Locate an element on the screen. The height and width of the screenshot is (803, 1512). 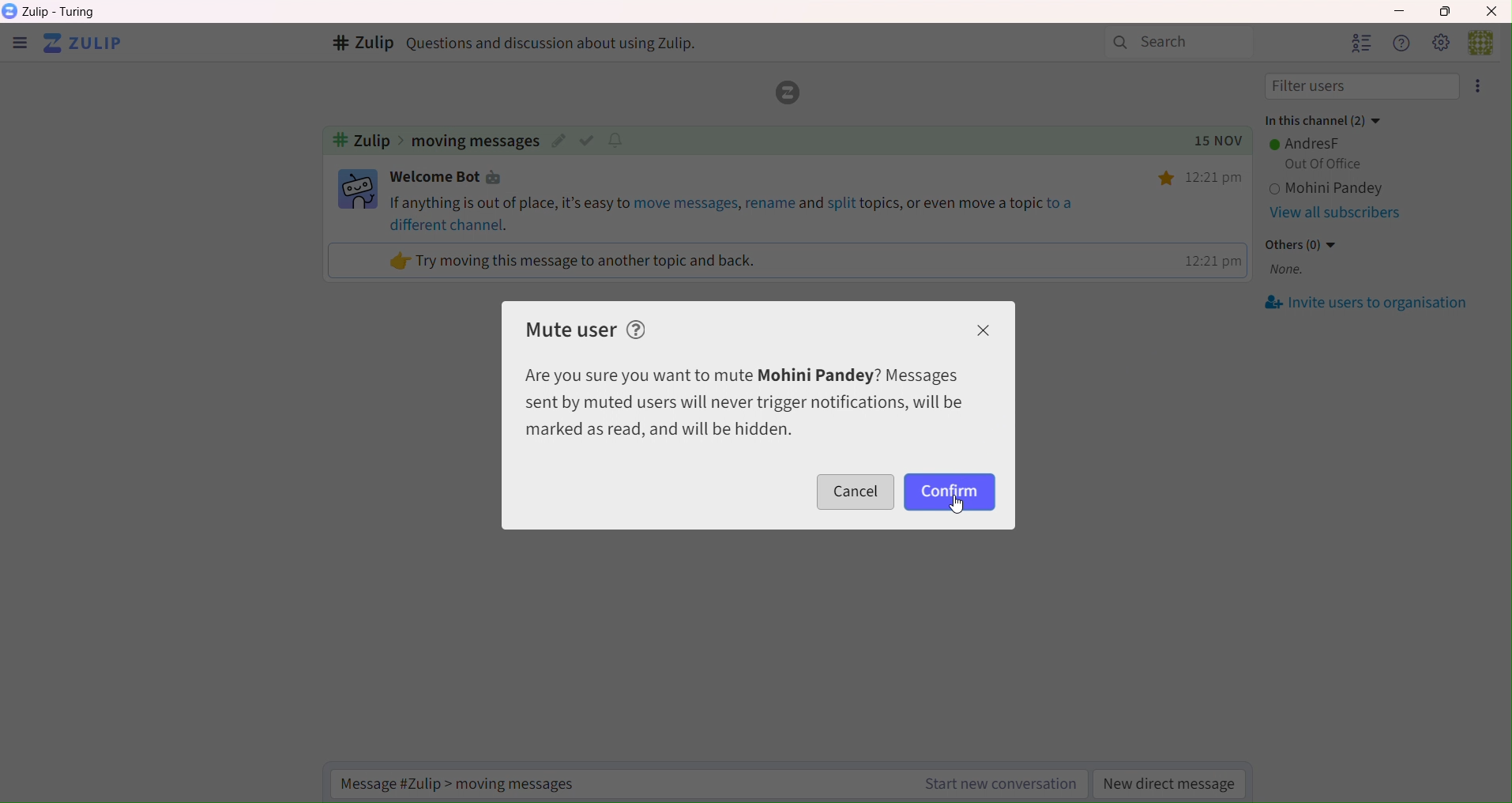
menu is located at coordinates (1481, 86).